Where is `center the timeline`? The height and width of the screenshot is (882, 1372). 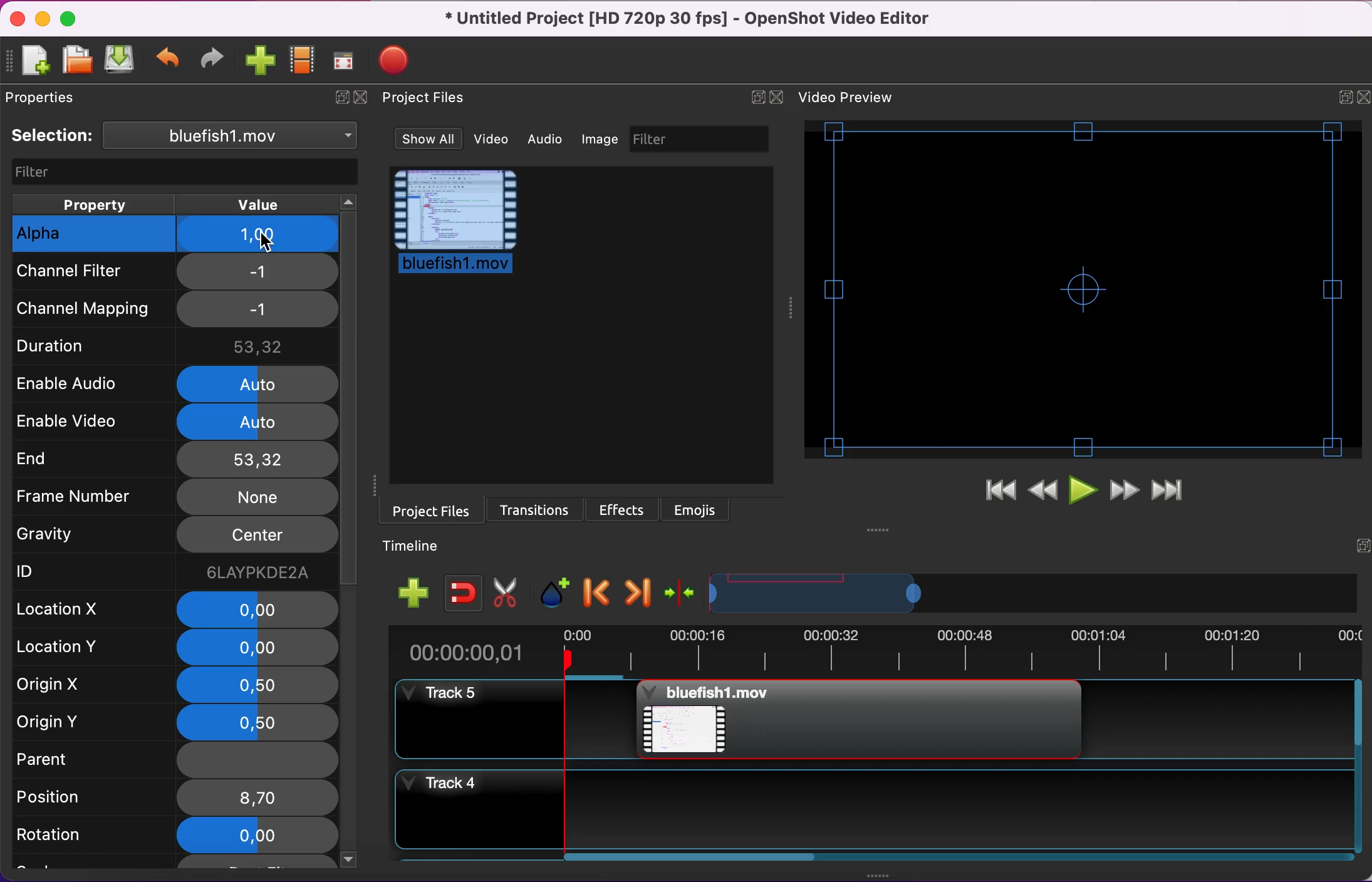
center the timeline is located at coordinates (681, 594).